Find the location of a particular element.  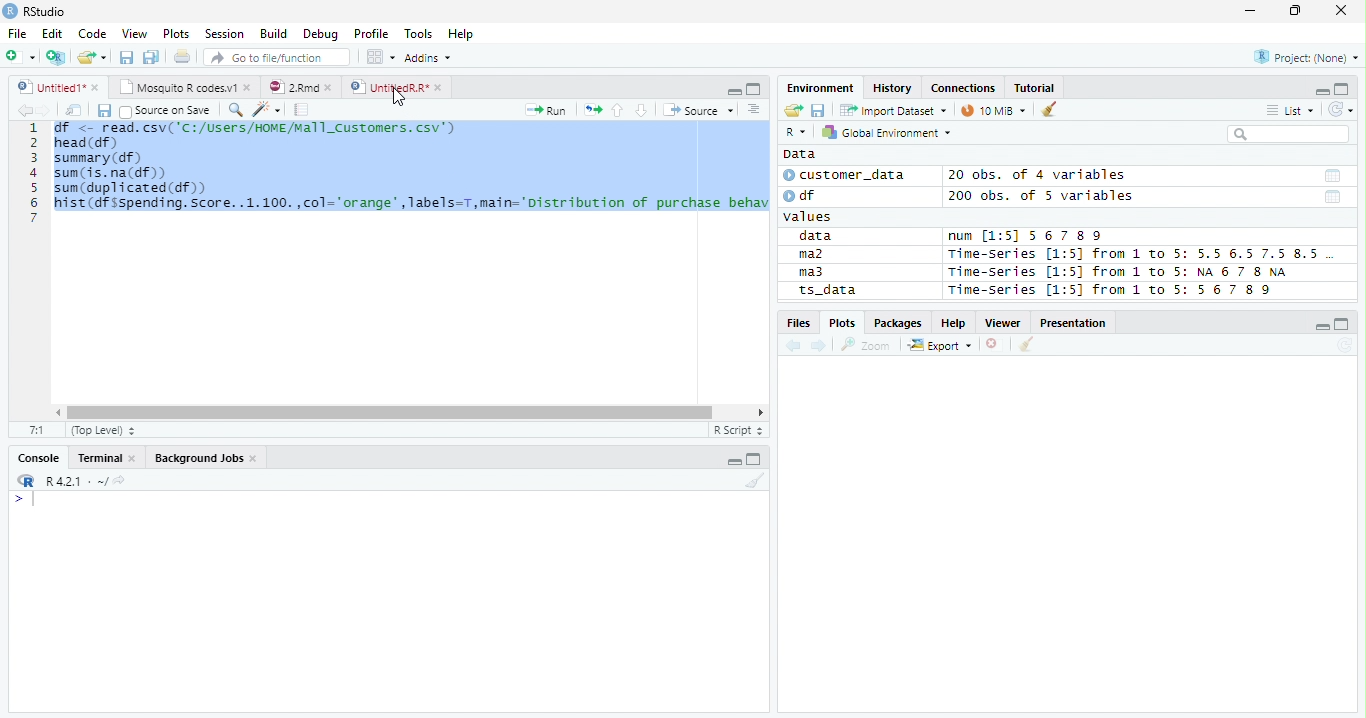

Maximize is located at coordinates (1344, 324).